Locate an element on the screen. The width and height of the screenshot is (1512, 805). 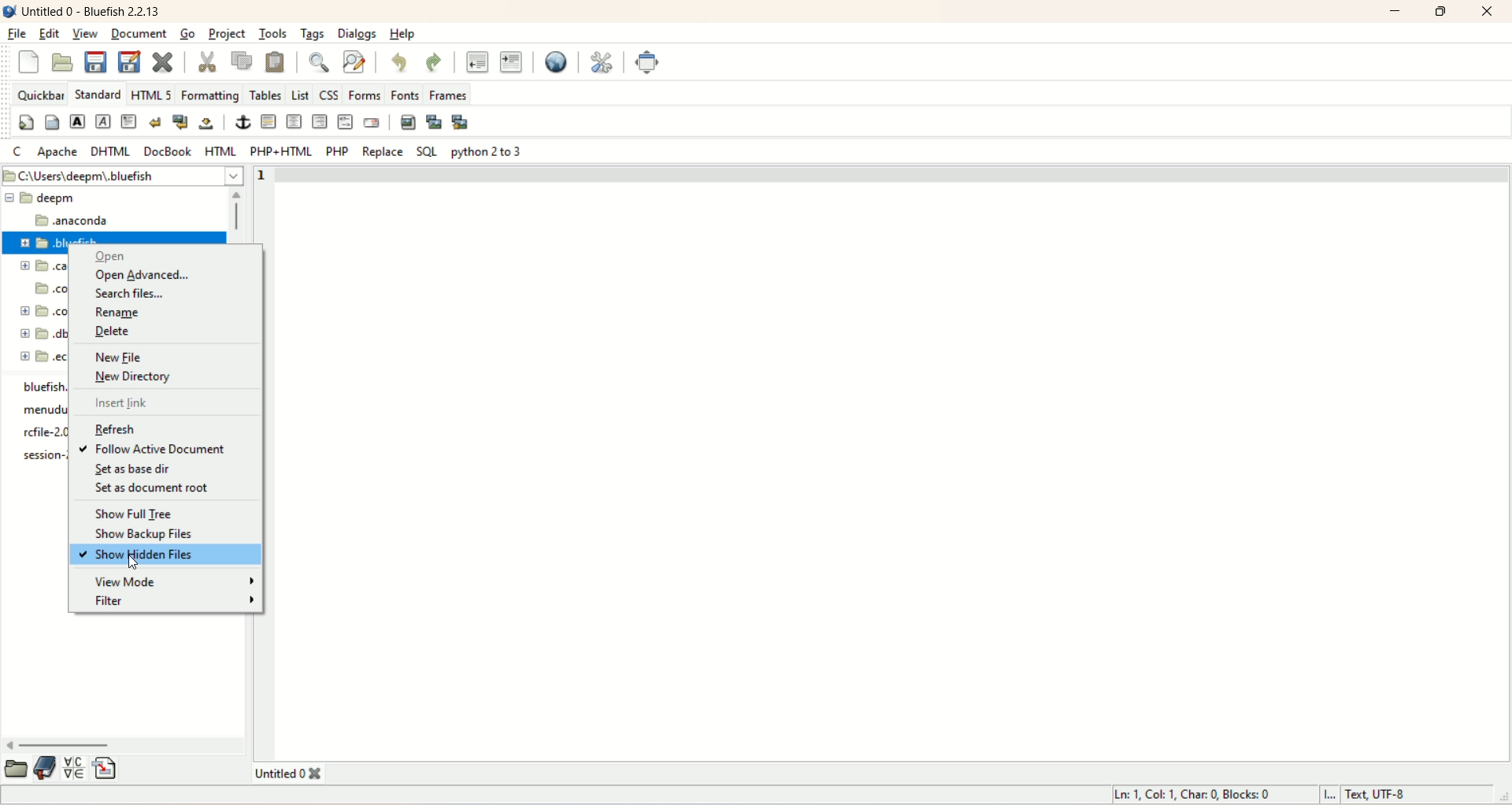
PHP is located at coordinates (338, 150).